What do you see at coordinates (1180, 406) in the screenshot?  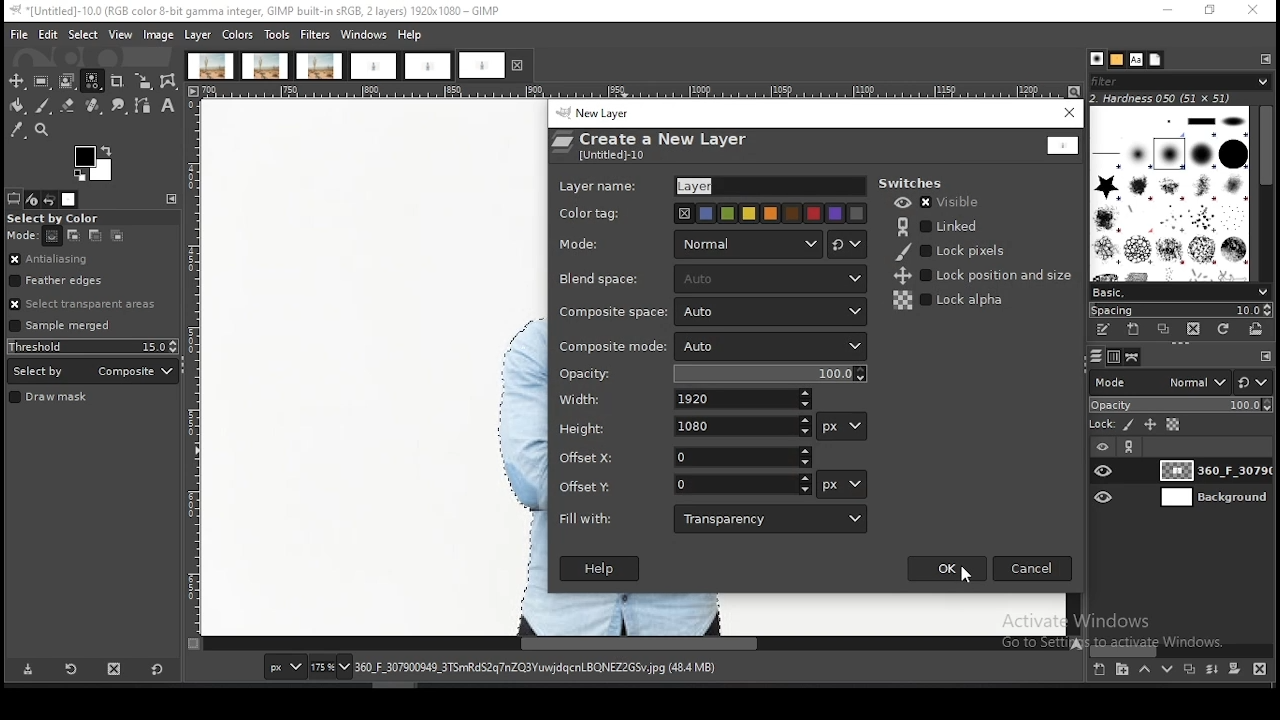 I see `opacity` at bounding box center [1180, 406].